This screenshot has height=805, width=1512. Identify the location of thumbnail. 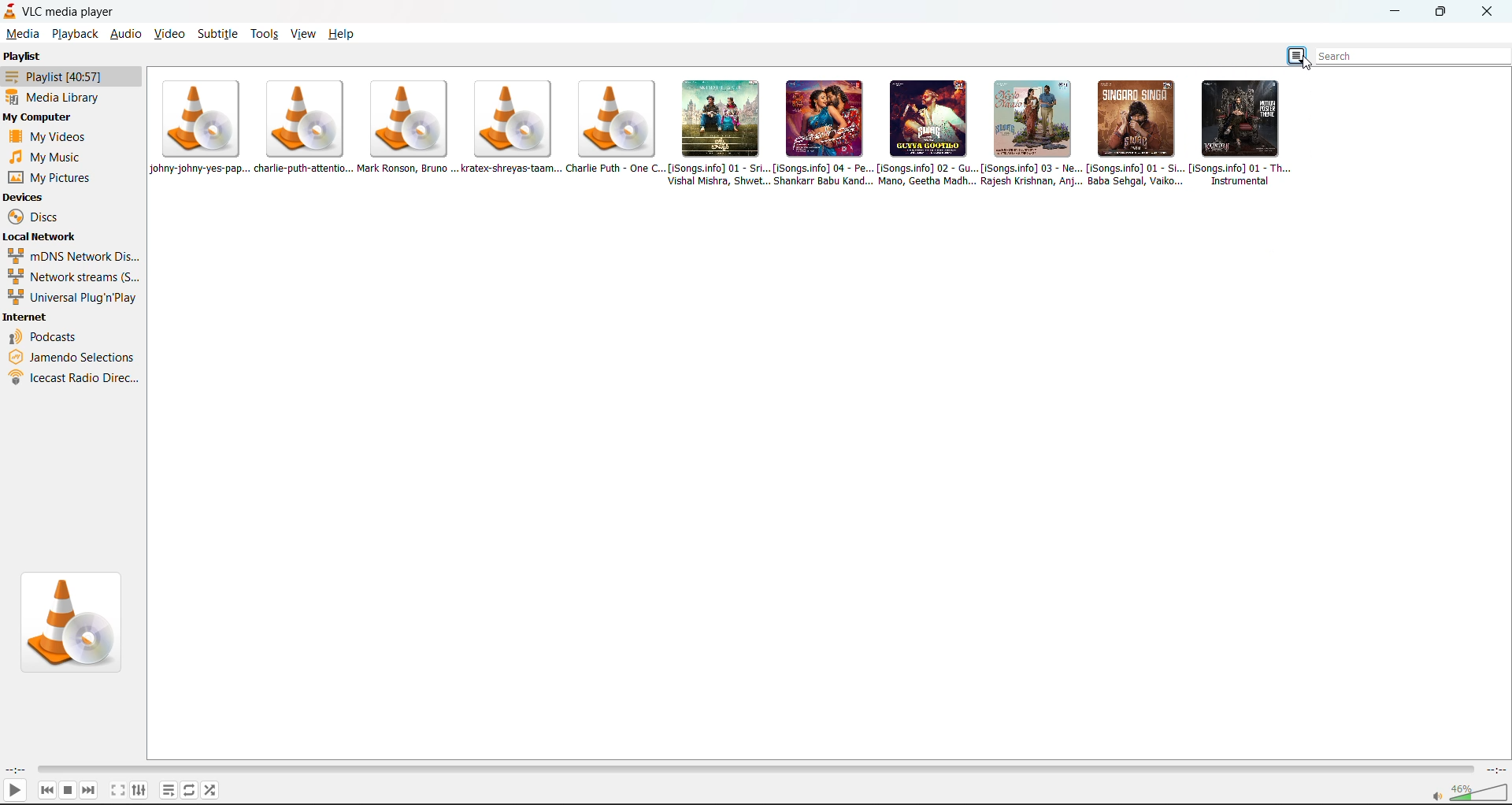
(76, 622).